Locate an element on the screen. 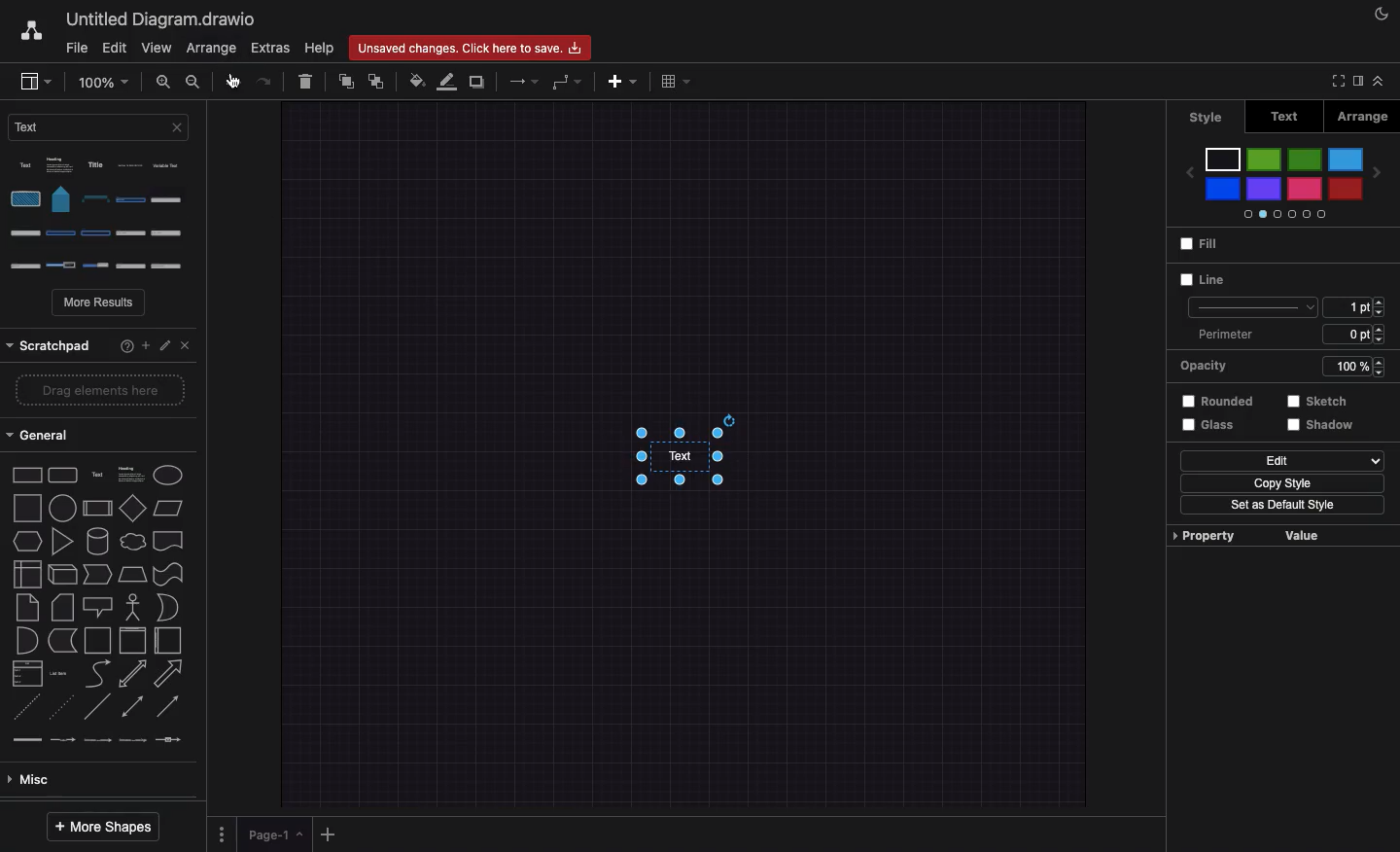 The height and width of the screenshot is (852, 1400). Arrows is located at coordinates (526, 81).